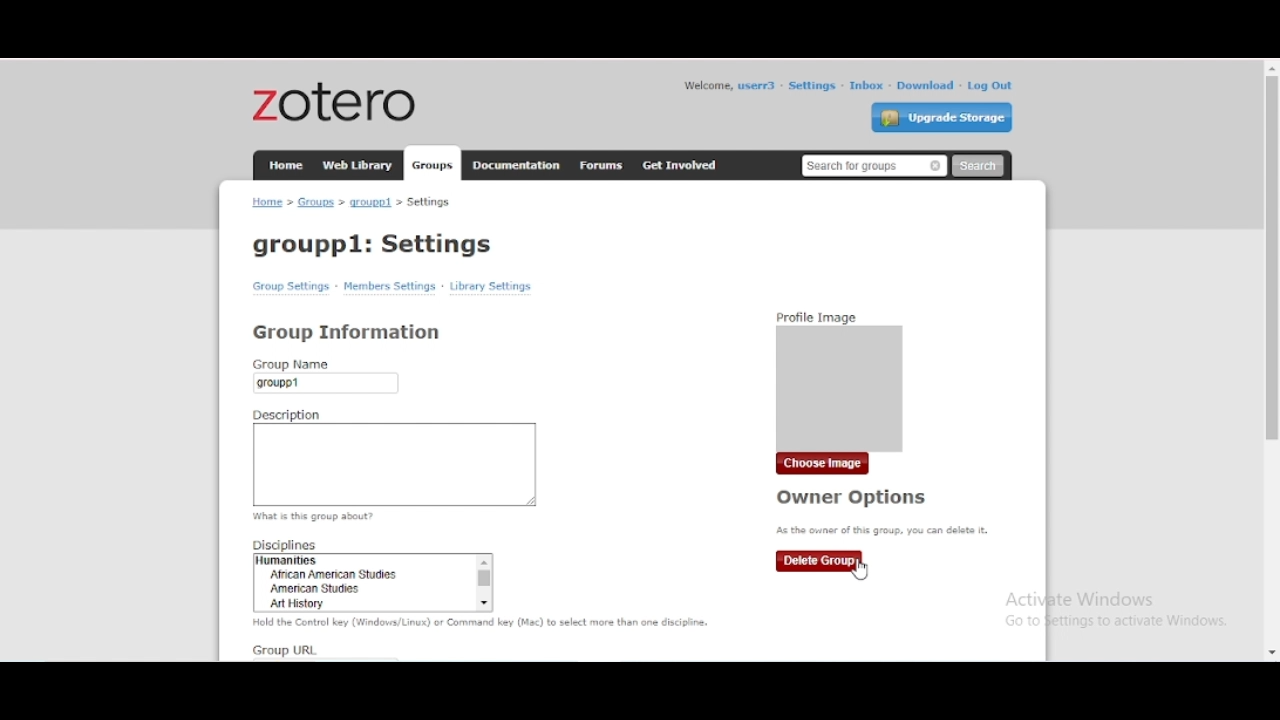 This screenshot has width=1280, height=720. Describe the element at coordinates (859, 571) in the screenshot. I see `cursor` at that location.